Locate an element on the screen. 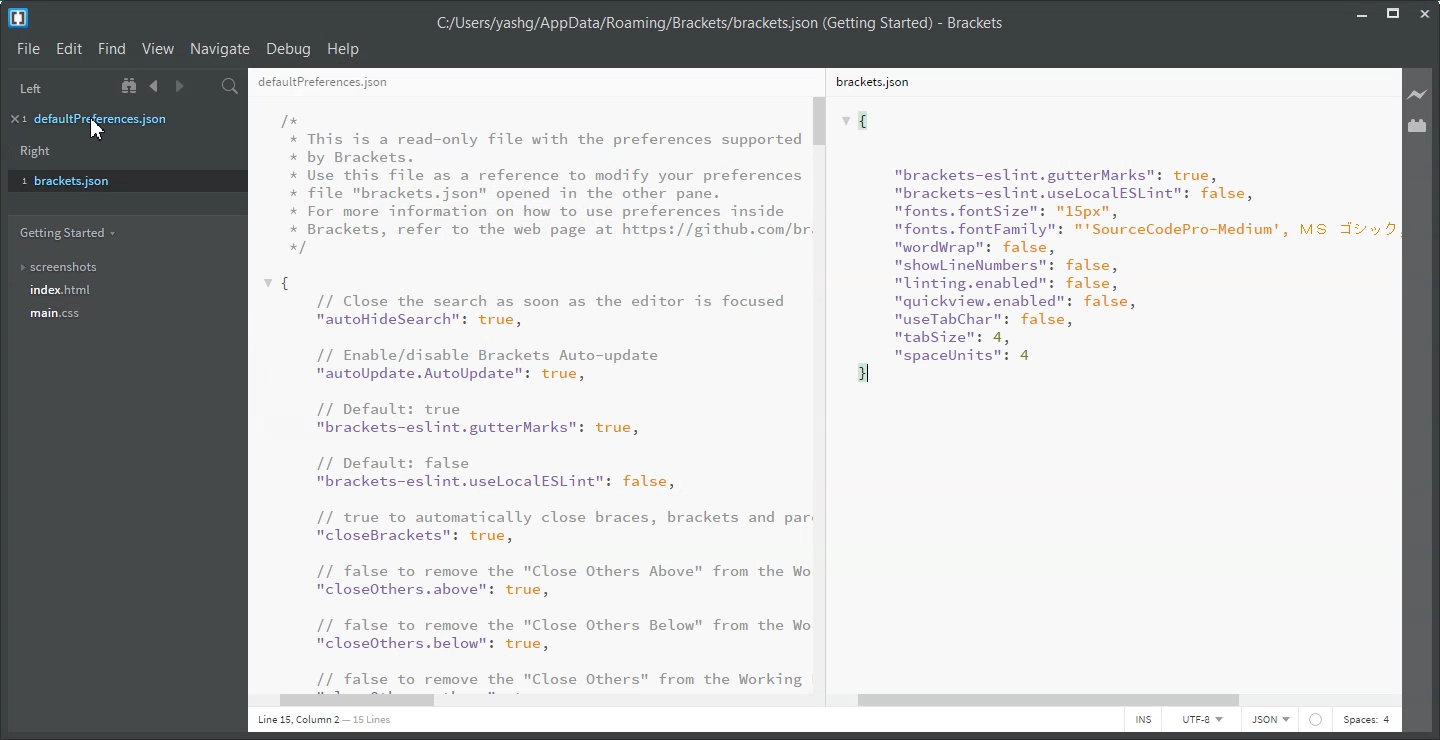  index.html is located at coordinates (124, 291).